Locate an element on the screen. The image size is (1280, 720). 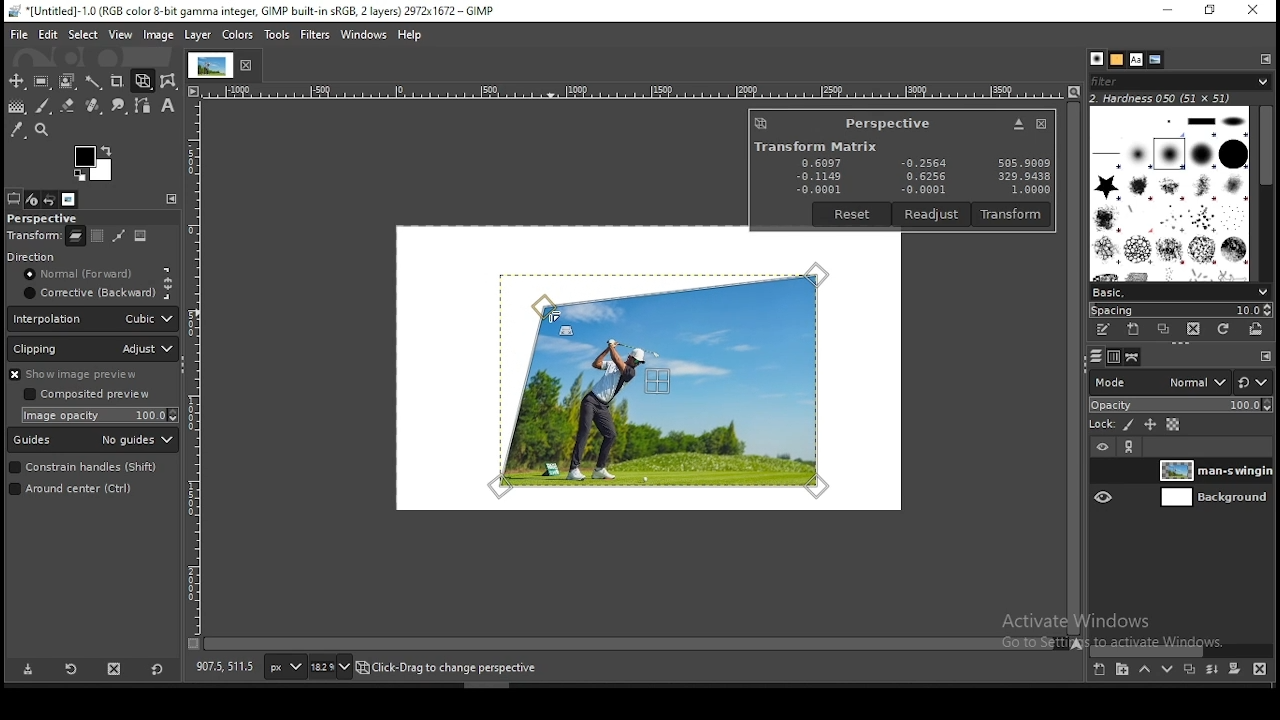
tool options is located at coordinates (13, 198).